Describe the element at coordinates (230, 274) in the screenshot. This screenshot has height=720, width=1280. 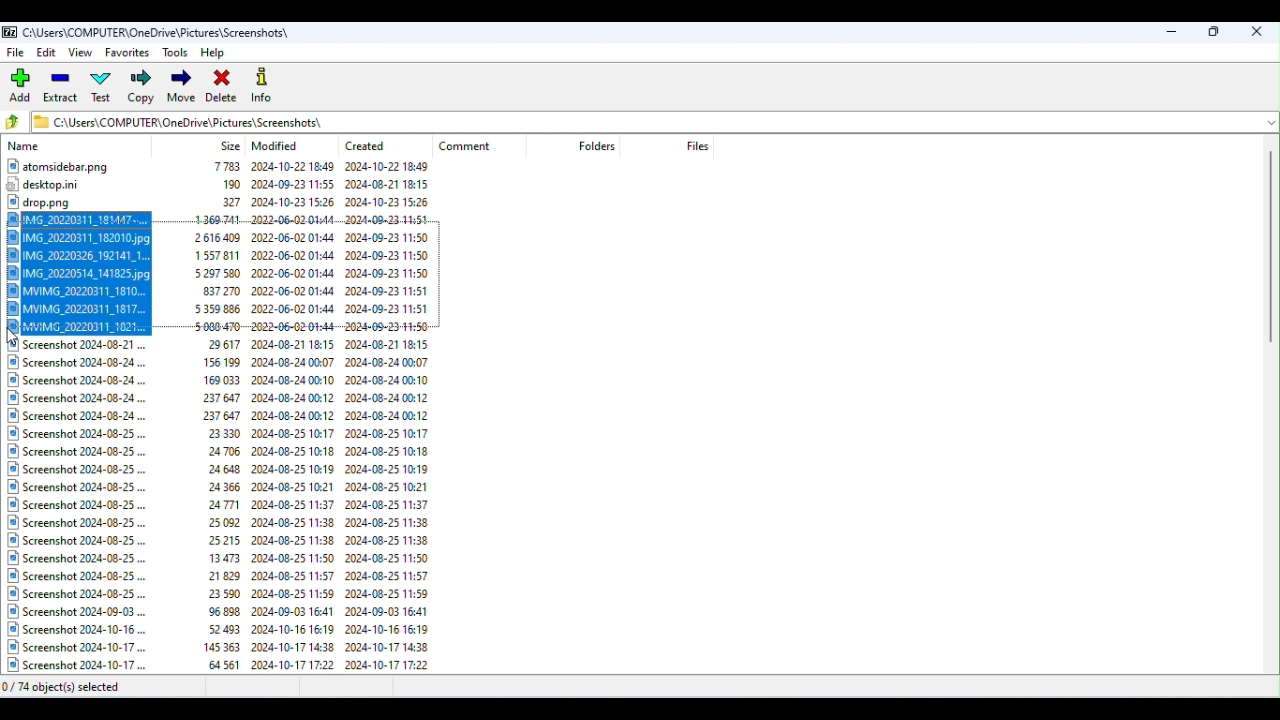
I see `Selected items` at that location.